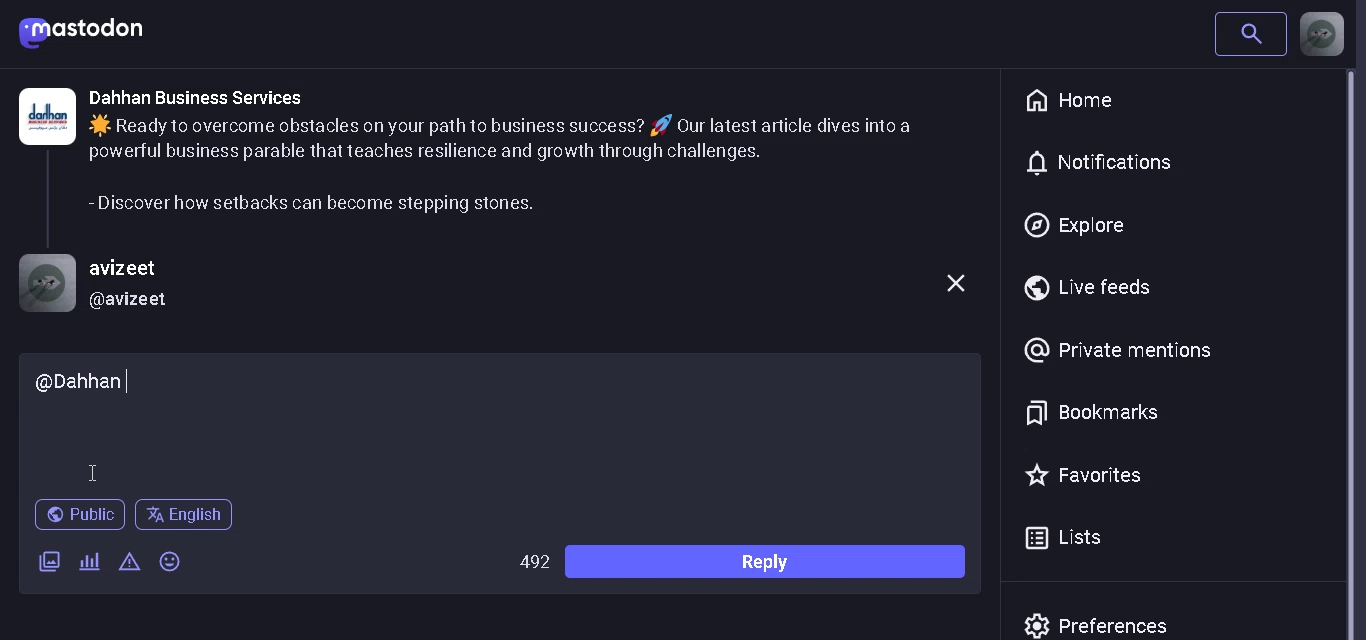 The width and height of the screenshot is (1366, 640). I want to click on @username, so click(132, 300).